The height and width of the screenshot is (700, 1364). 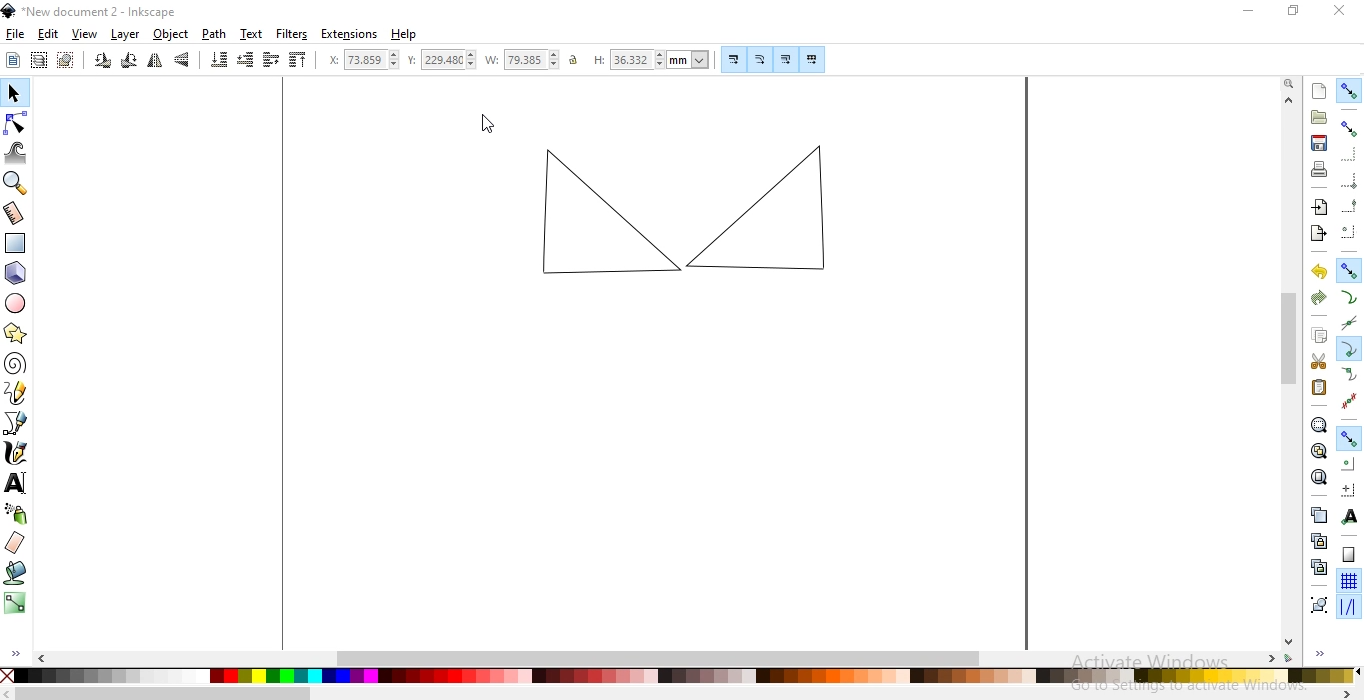 I want to click on create new document with default template, so click(x=1320, y=91).